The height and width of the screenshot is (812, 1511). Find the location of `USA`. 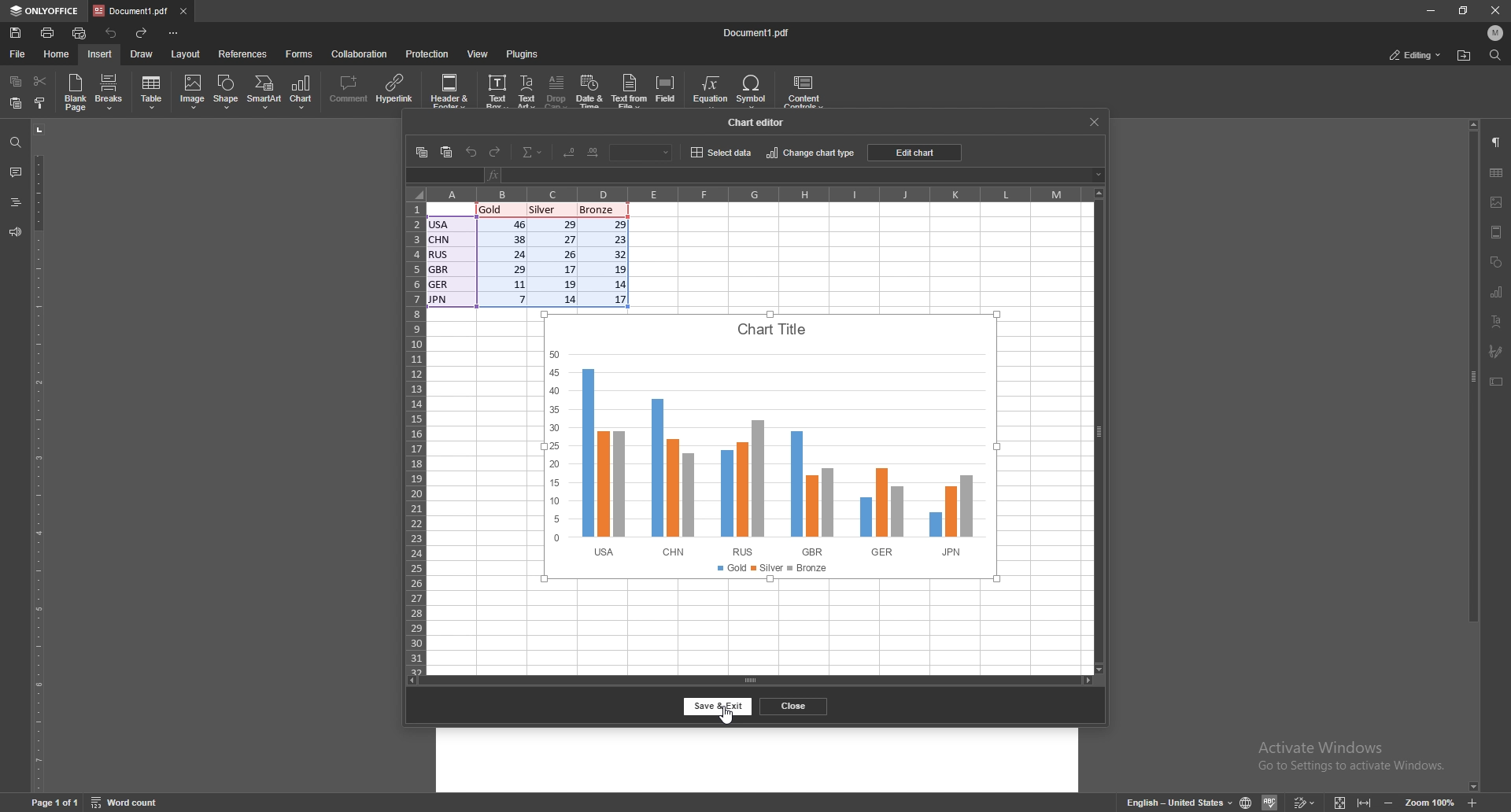

USA is located at coordinates (442, 224).